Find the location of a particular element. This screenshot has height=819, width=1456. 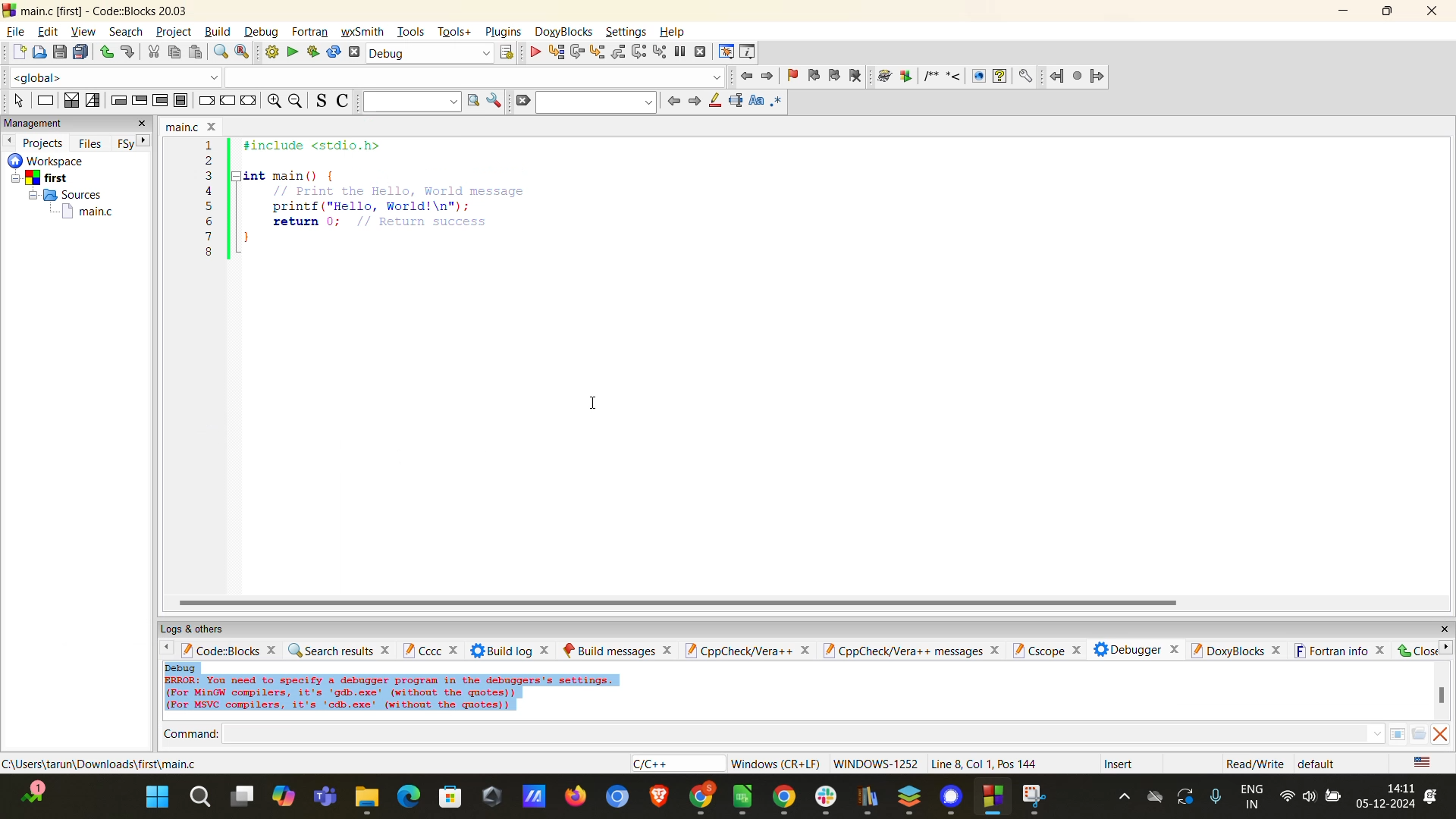

line number is located at coordinates (206, 199).